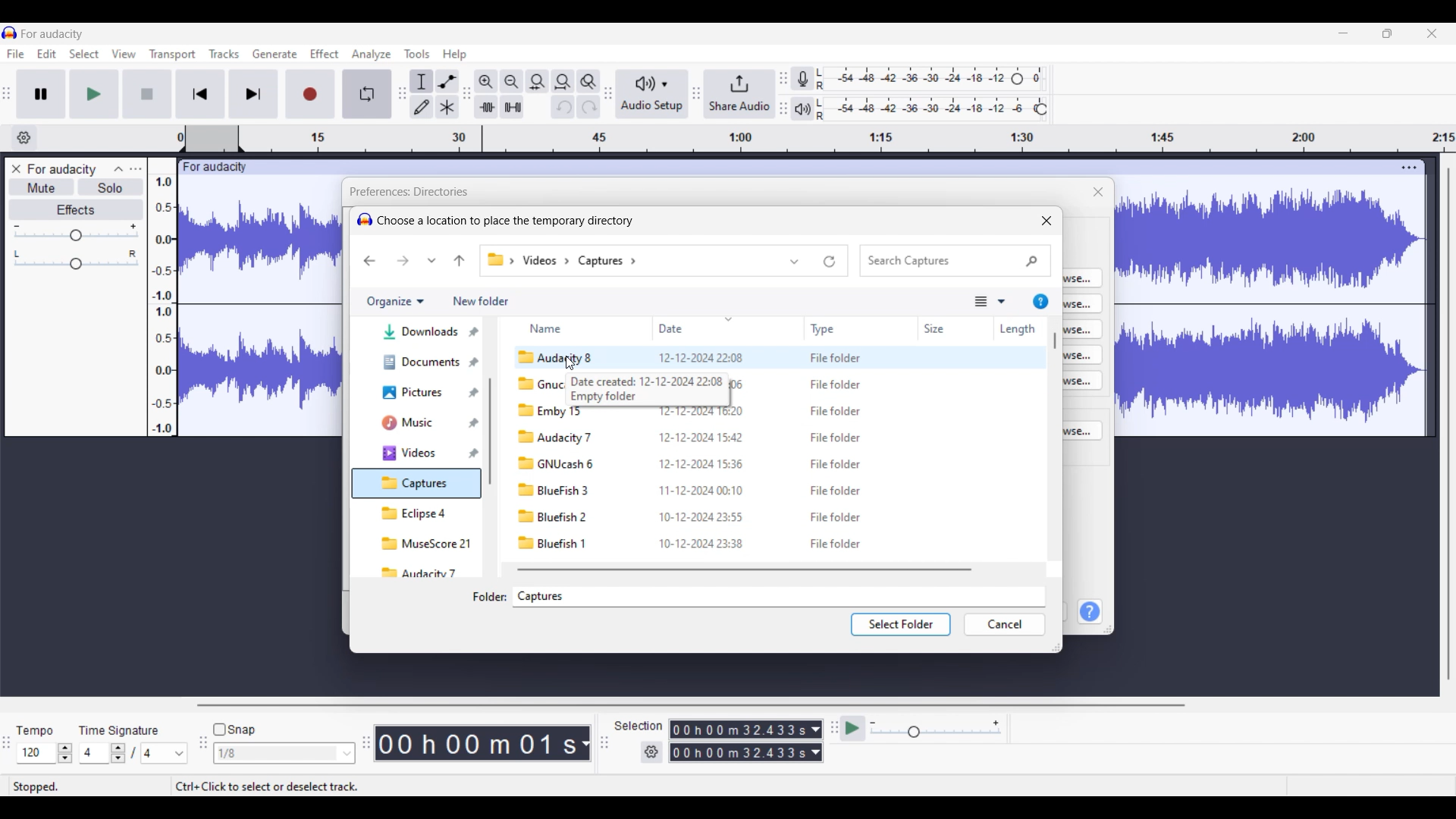  I want to click on Input space for folder name, so click(779, 596).